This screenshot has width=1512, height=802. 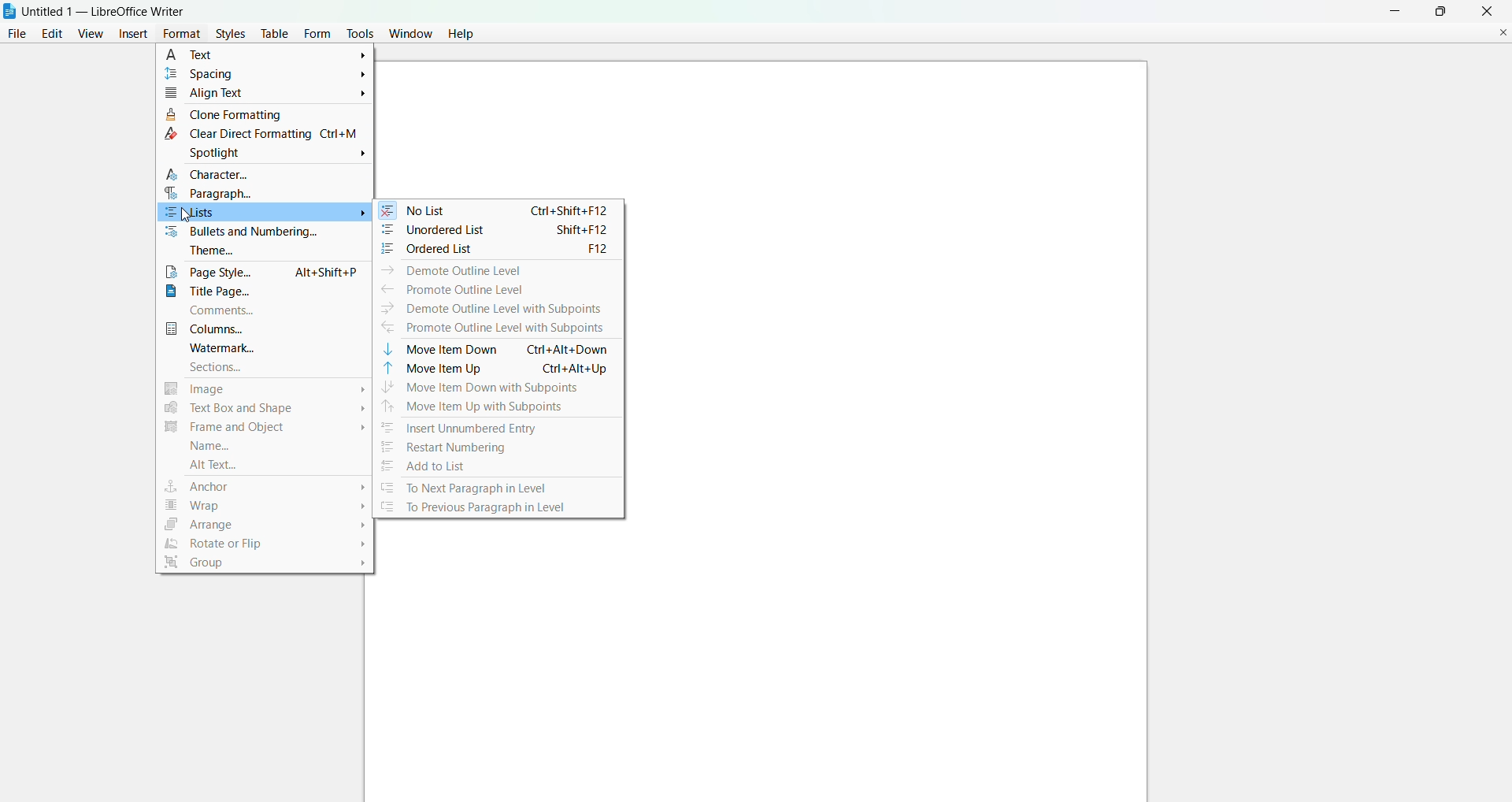 What do you see at coordinates (504, 210) in the screenshot?
I see `no list Ctrl+shift+f12` at bounding box center [504, 210].